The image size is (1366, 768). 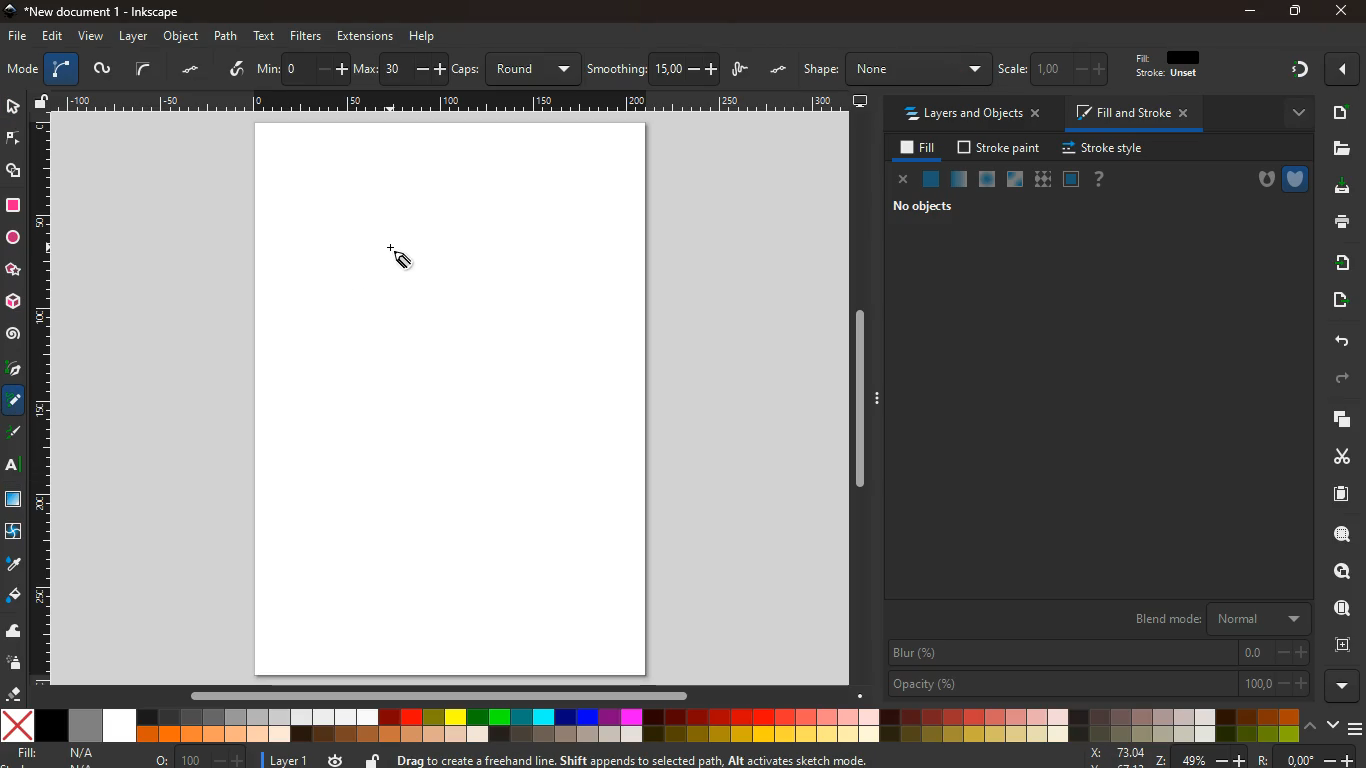 I want to click on circle, so click(x=12, y=238).